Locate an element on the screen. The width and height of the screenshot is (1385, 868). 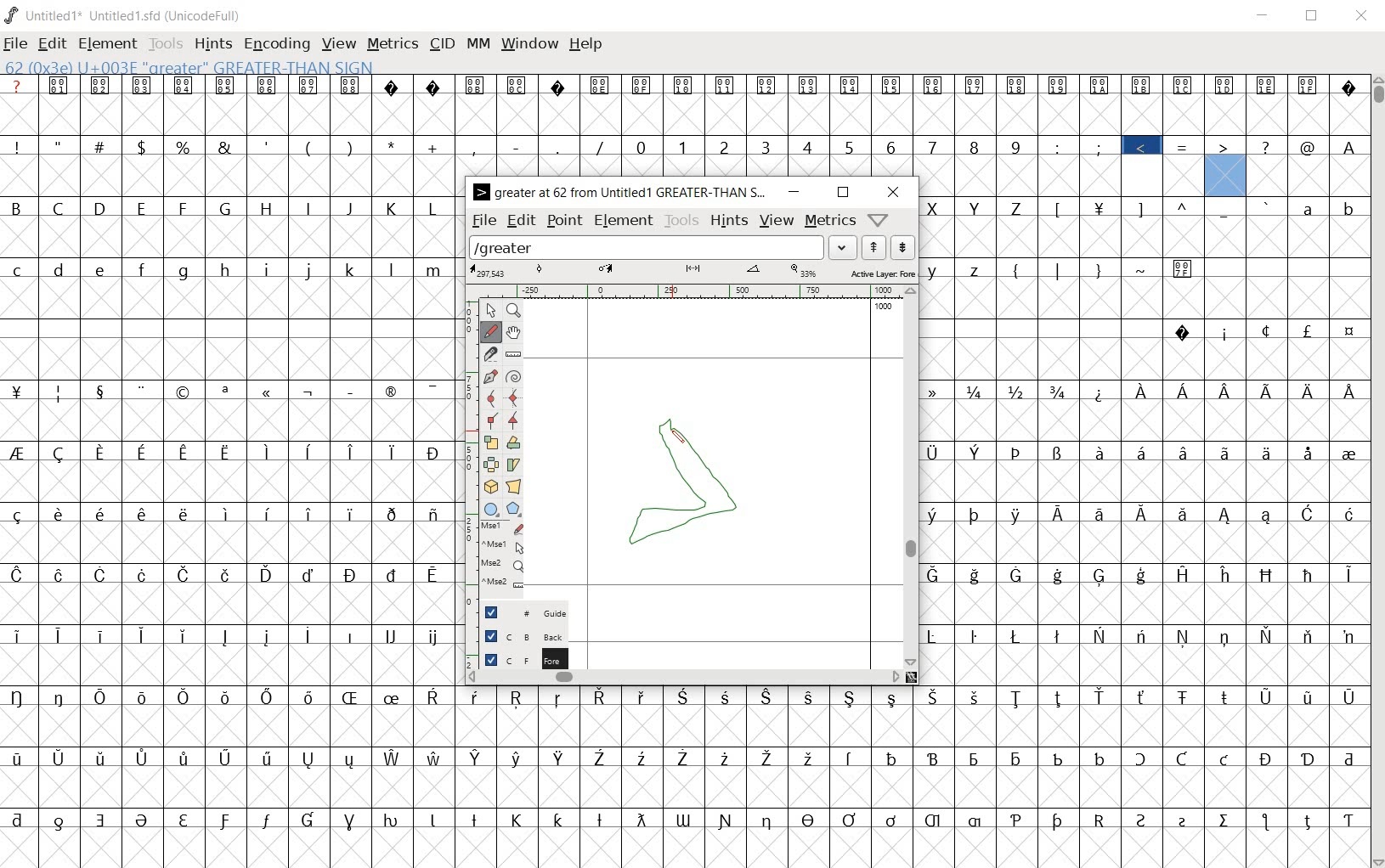
file is located at coordinates (15, 45).